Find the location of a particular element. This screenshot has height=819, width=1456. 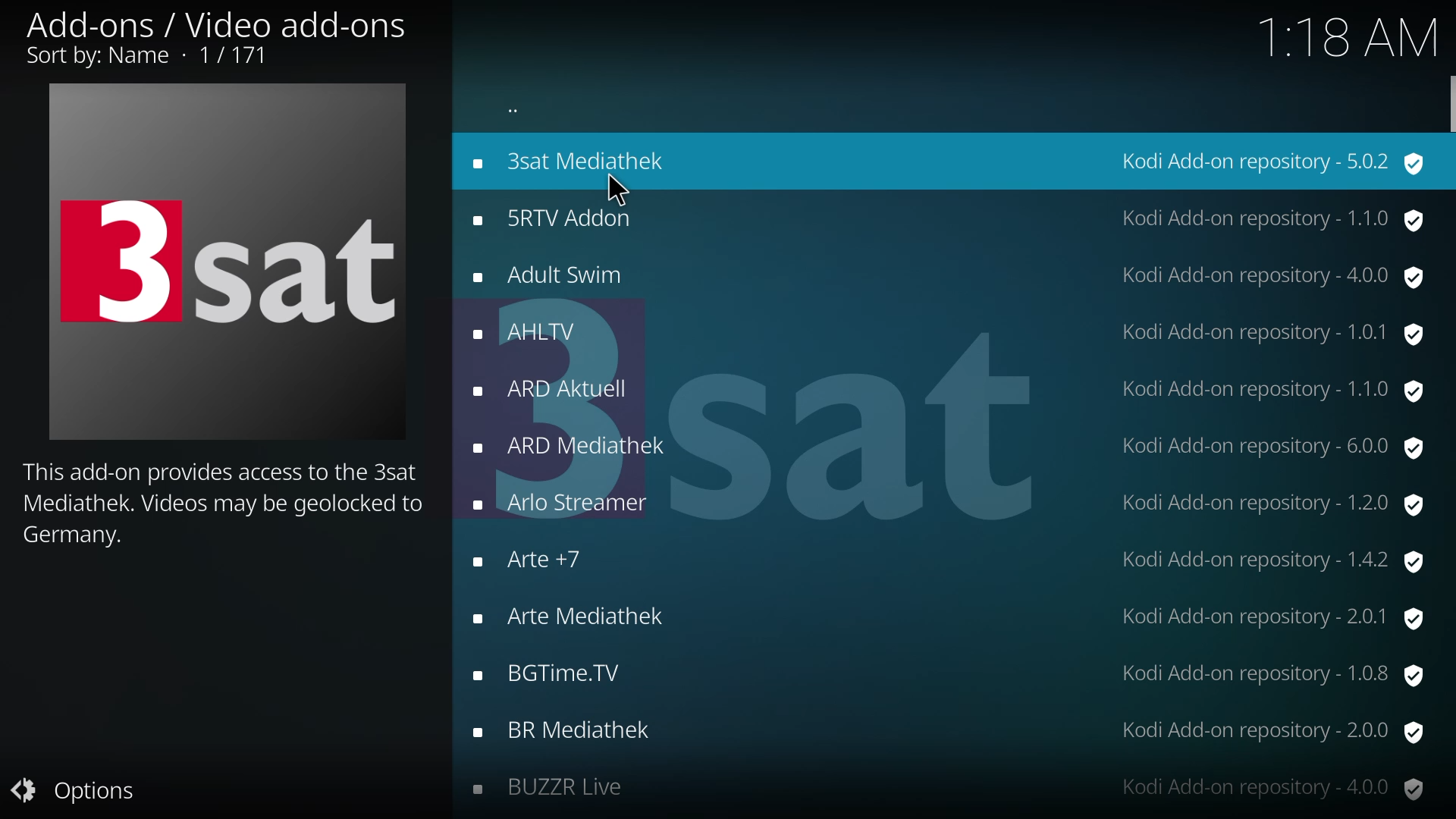

version is located at coordinates (1268, 784).